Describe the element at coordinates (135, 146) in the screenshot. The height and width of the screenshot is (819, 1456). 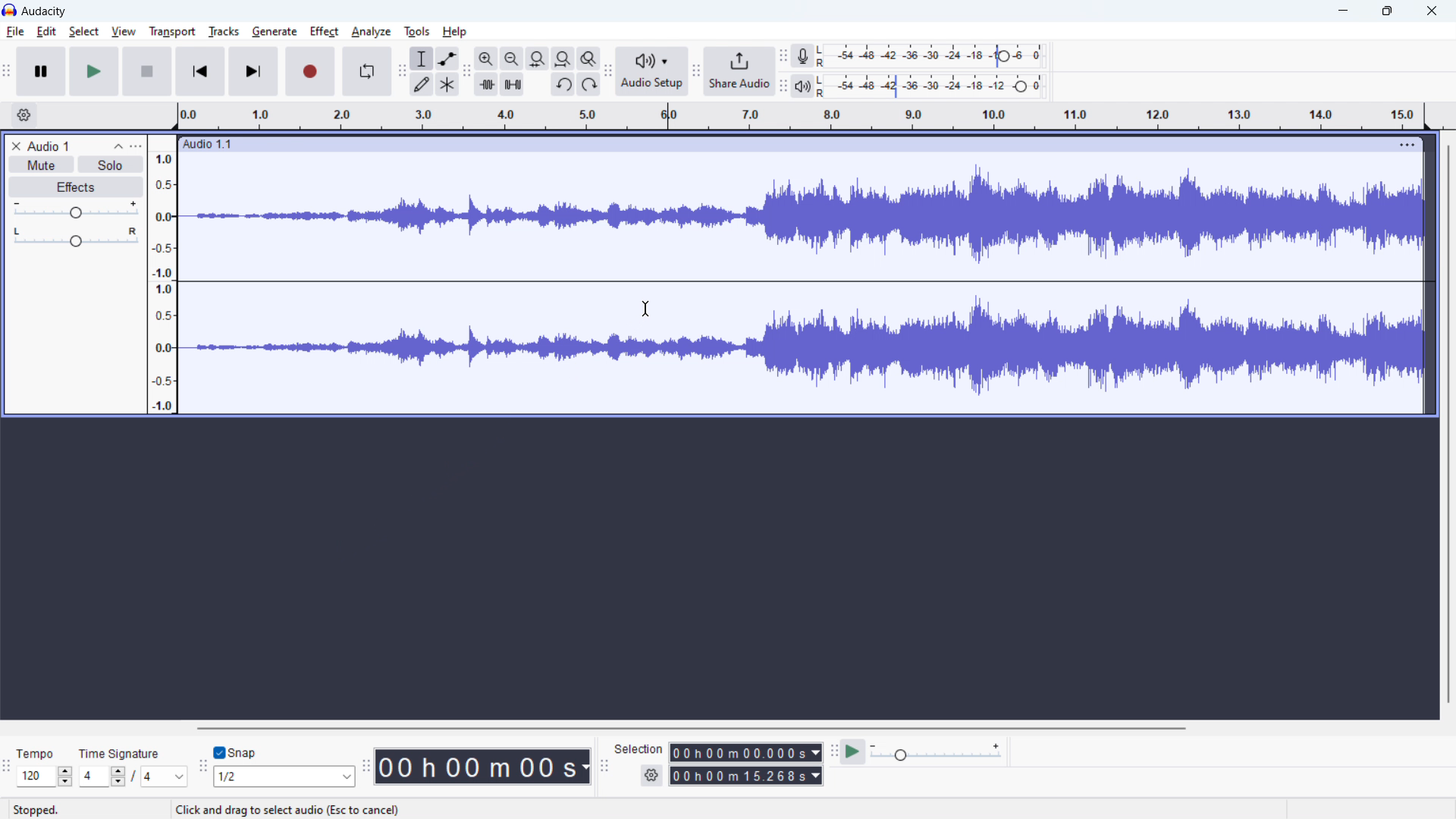
I see `view menu` at that location.